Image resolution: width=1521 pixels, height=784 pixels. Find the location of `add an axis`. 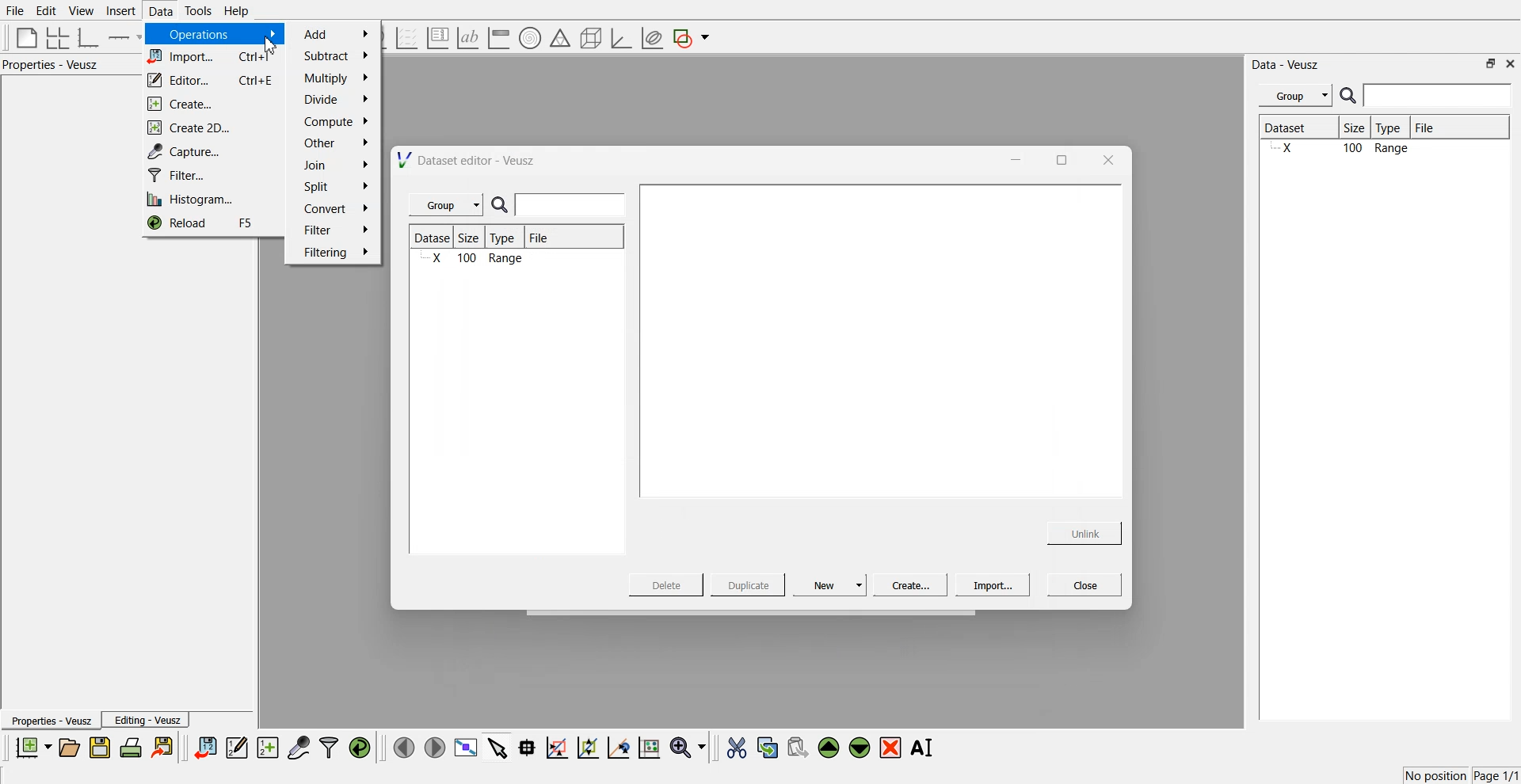

add an axis is located at coordinates (125, 37).